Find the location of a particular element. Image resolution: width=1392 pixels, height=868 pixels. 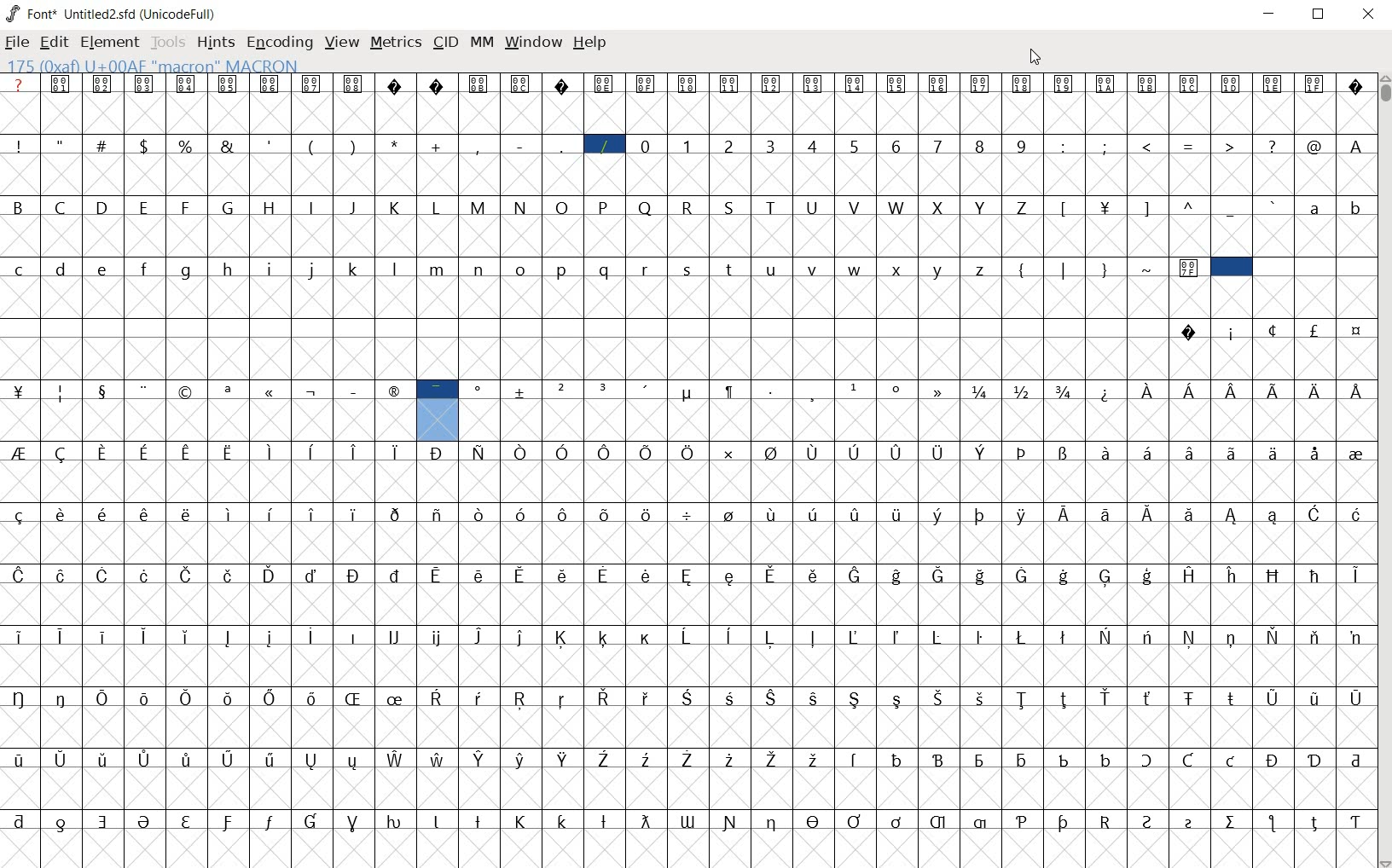

Latin extended characters is located at coordinates (187, 654).